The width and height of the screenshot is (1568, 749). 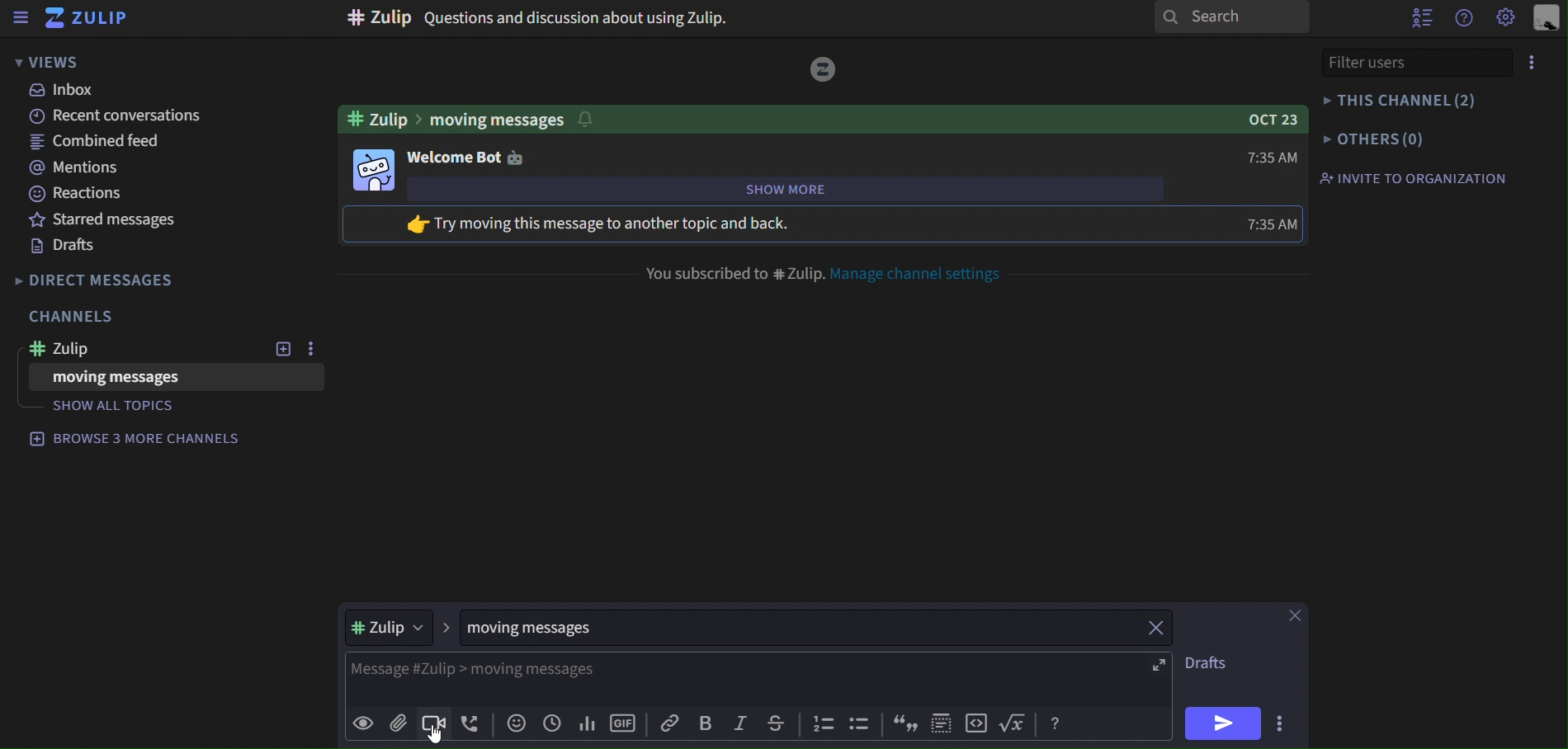 I want to click on more actions, so click(x=1280, y=719).